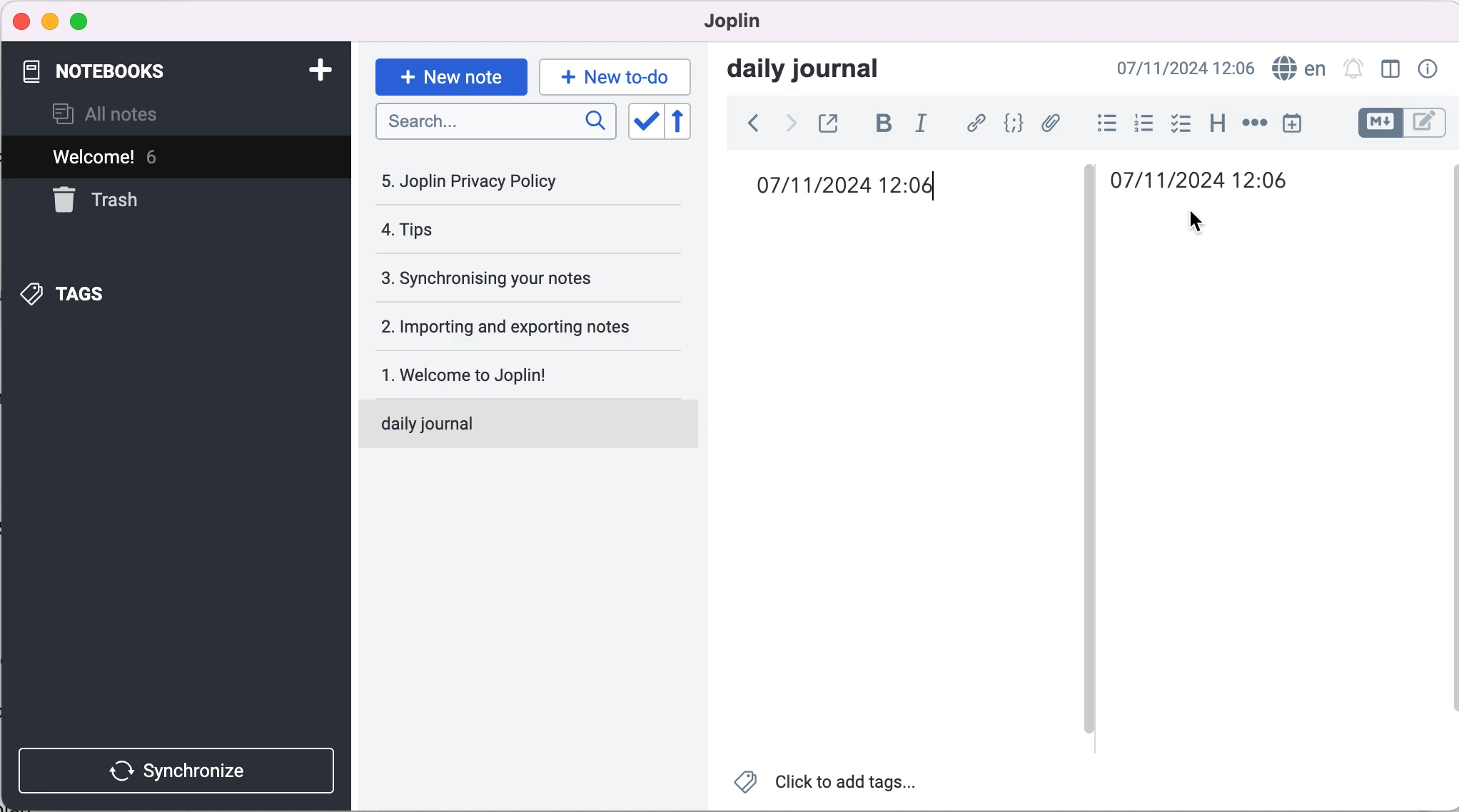 Image resolution: width=1459 pixels, height=812 pixels. I want to click on bold, so click(881, 124).